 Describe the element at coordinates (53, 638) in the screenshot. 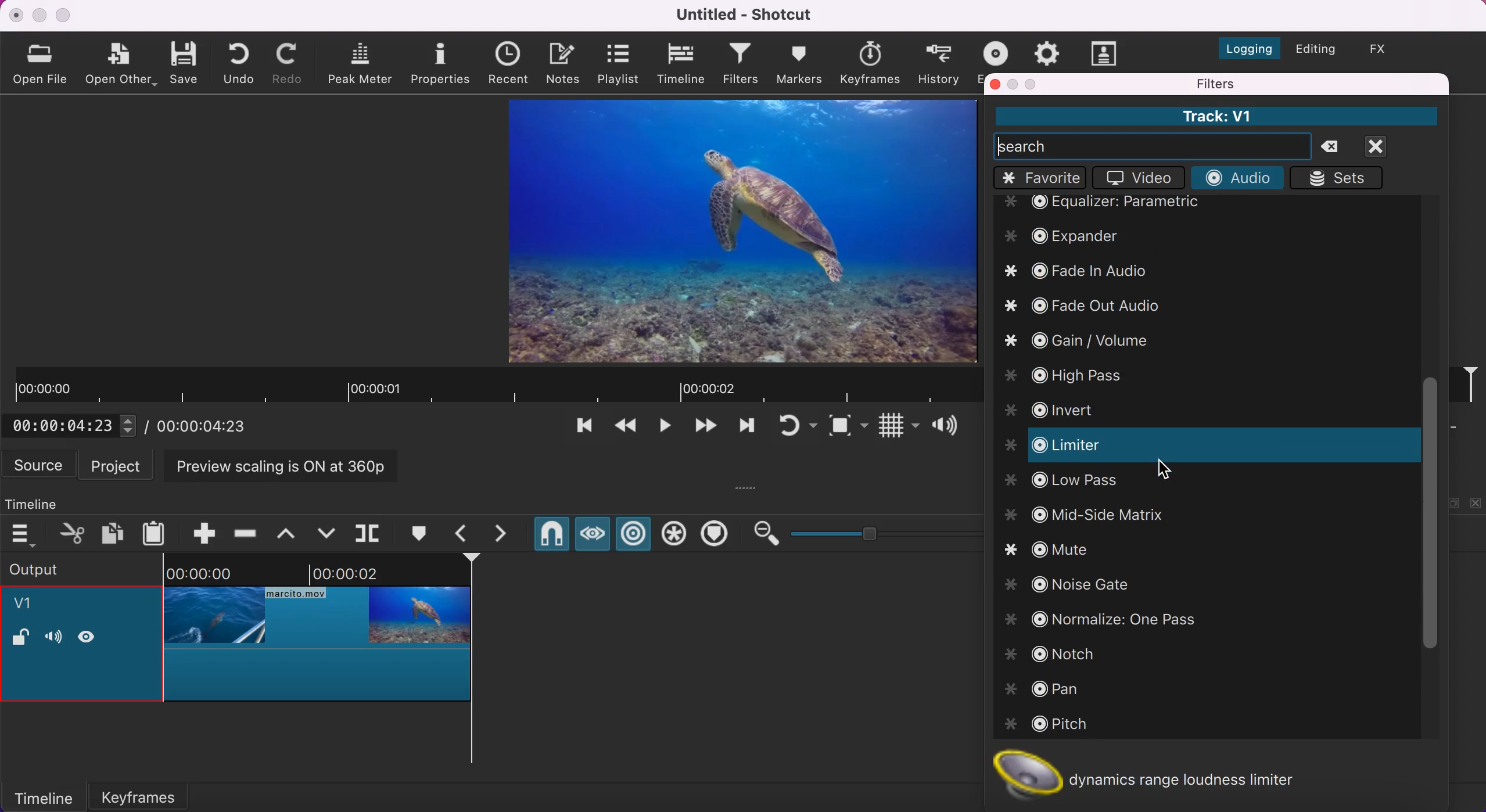

I see `volume` at that location.